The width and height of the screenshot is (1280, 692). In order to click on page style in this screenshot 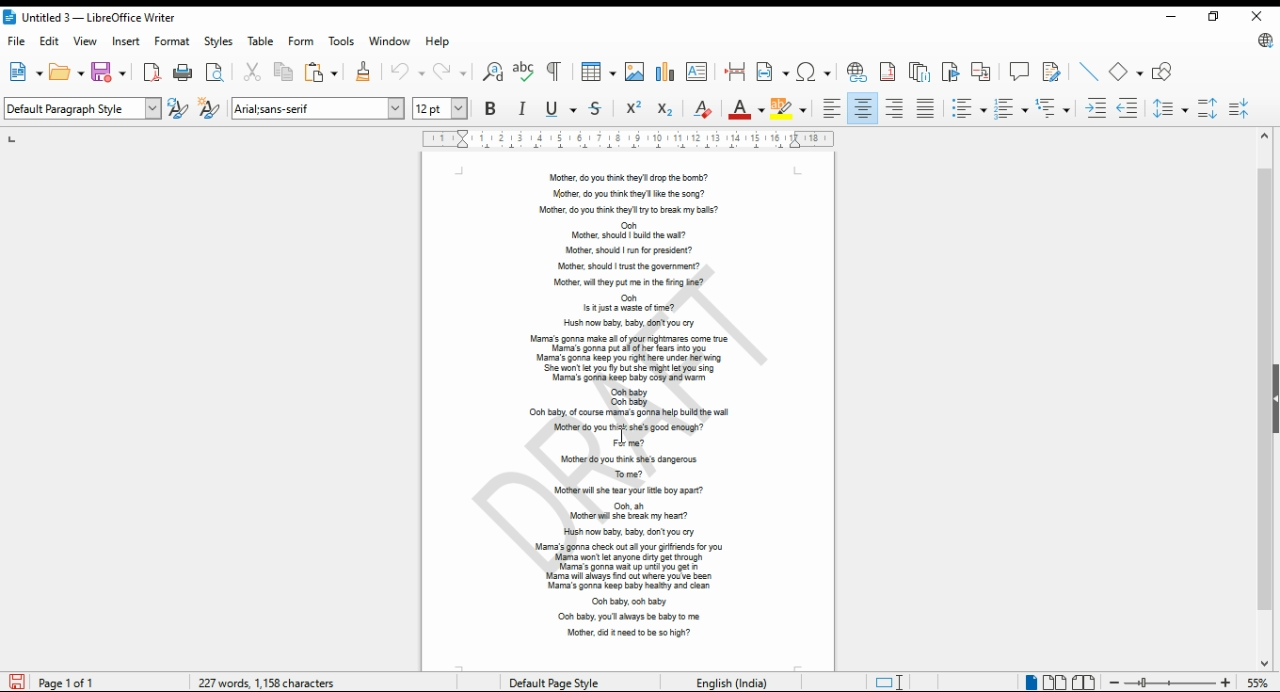, I will do `click(549, 680)`.